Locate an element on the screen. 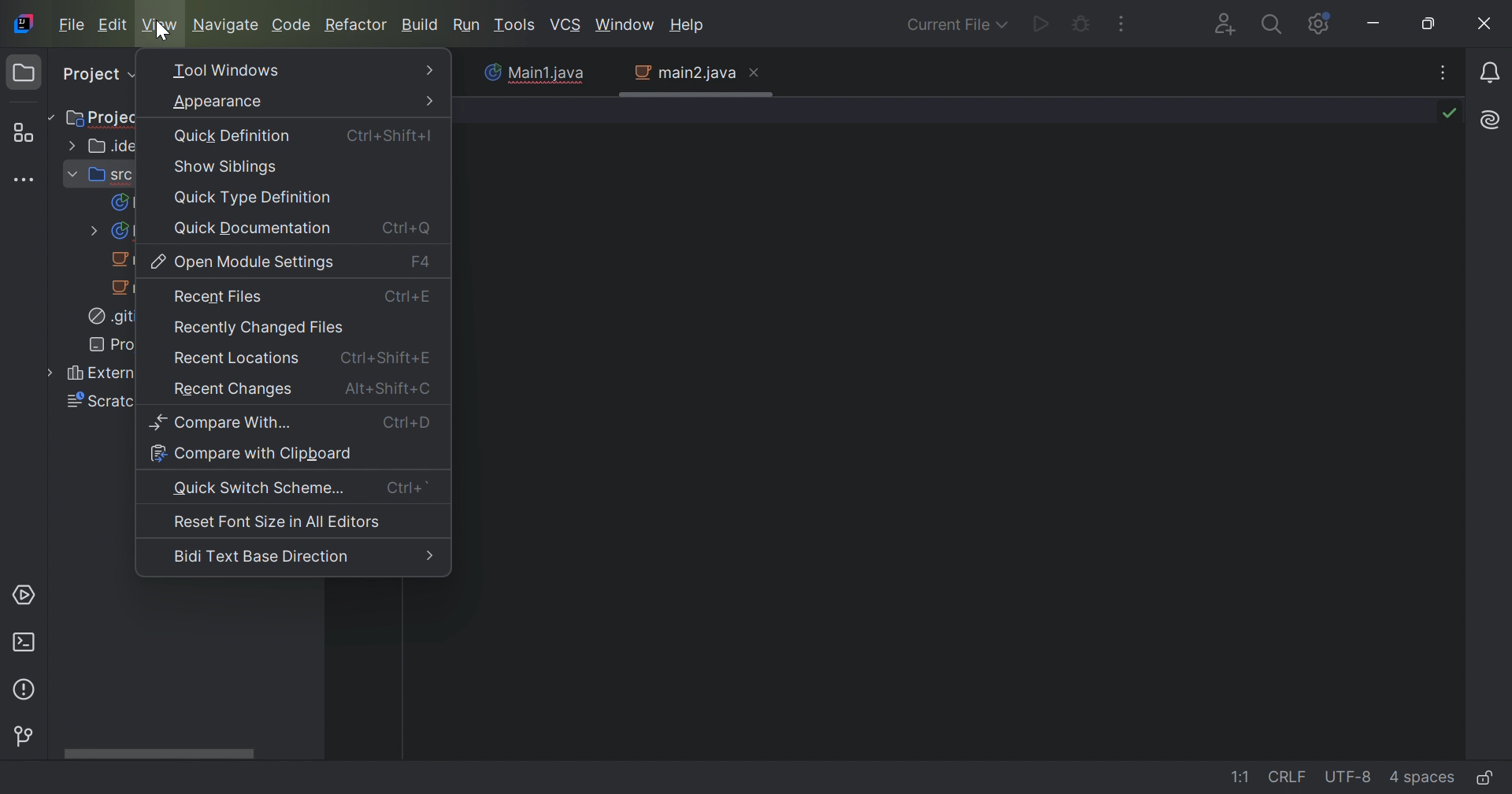 Image resolution: width=1512 pixels, height=794 pixels. More is located at coordinates (428, 69).